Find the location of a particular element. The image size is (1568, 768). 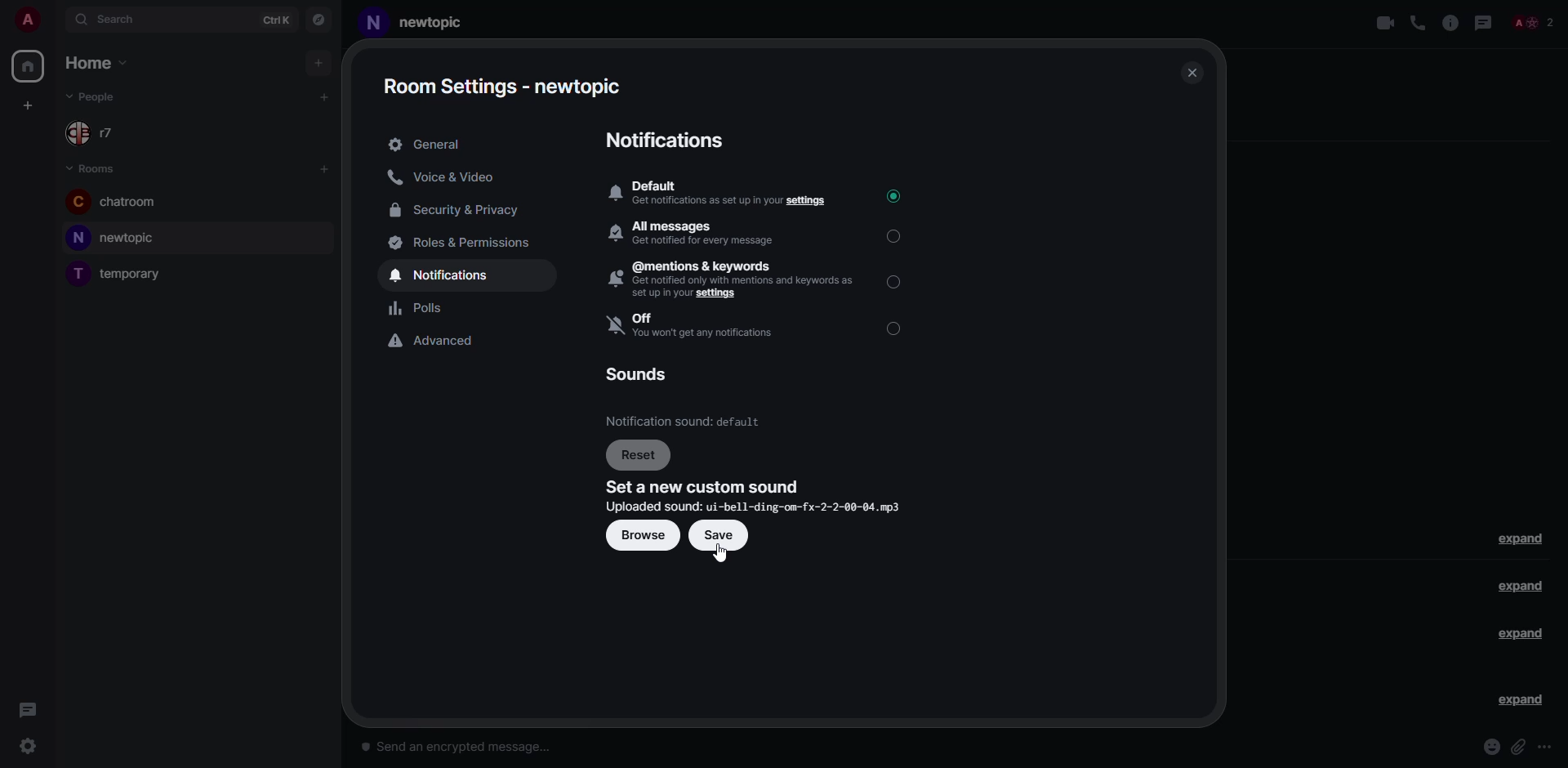

general is located at coordinates (429, 145).